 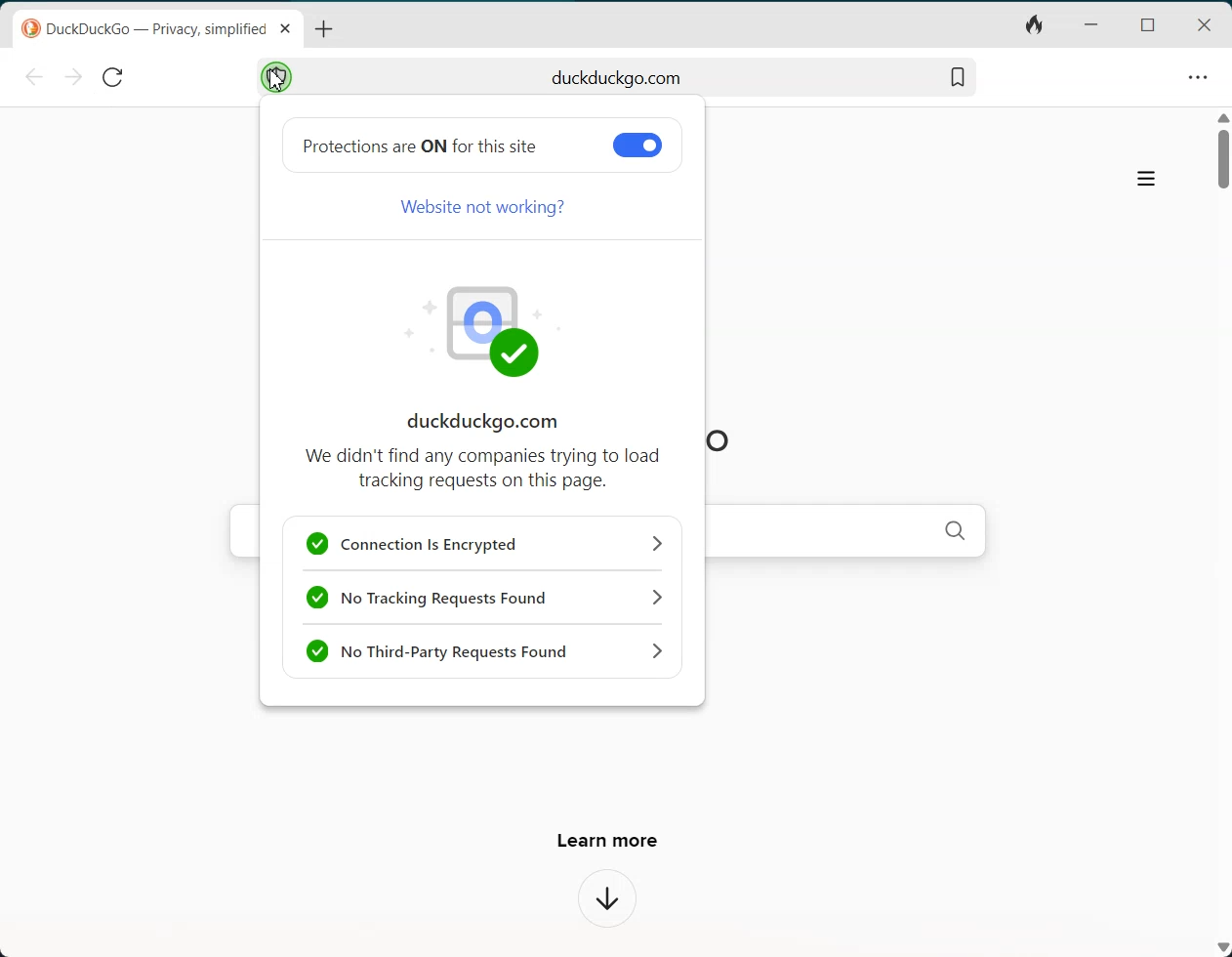 What do you see at coordinates (609, 900) in the screenshot?
I see `Dropdown for learn more` at bounding box center [609, 900].